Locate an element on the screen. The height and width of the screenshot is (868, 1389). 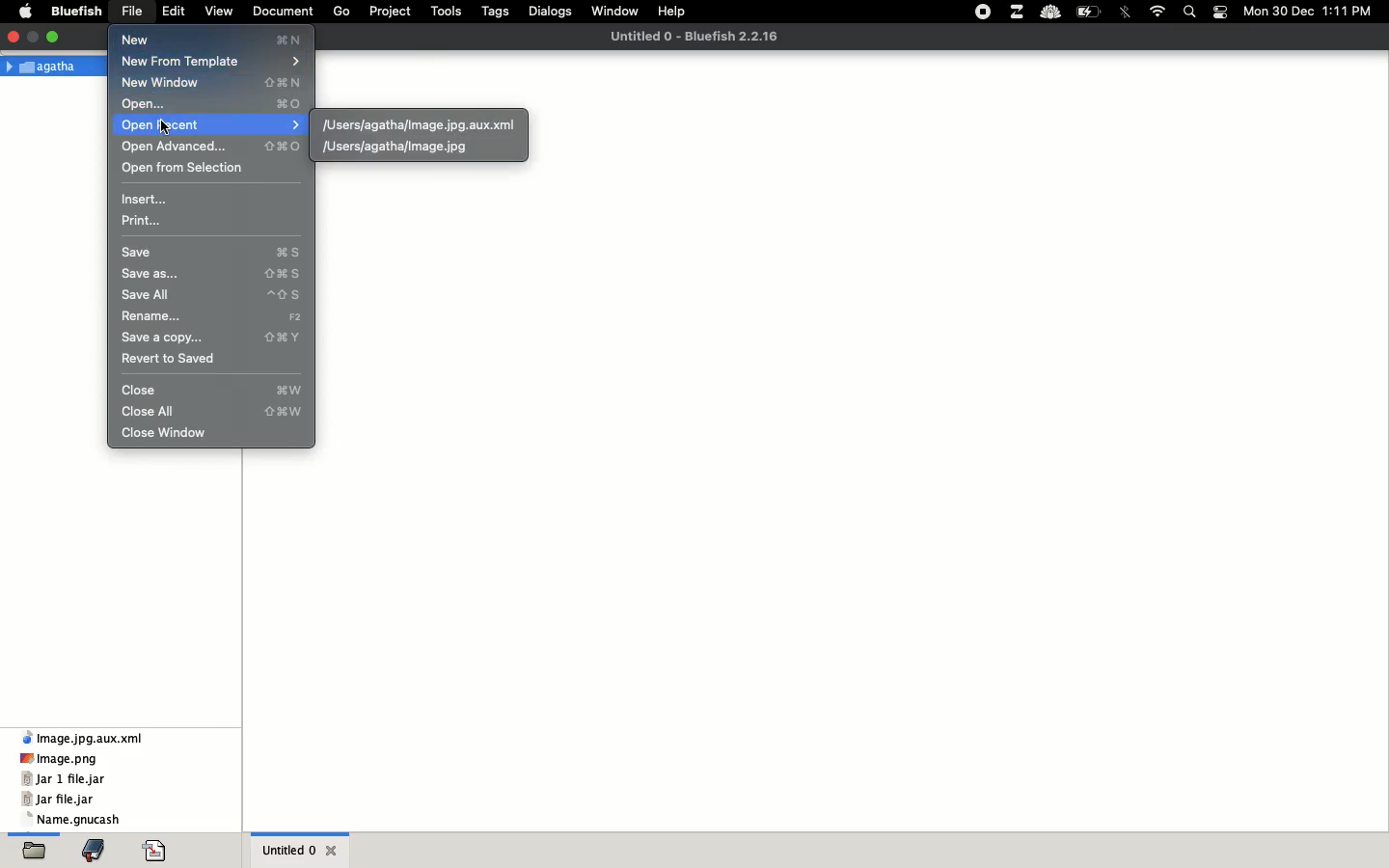
close window is located at coordinates (167, 431).